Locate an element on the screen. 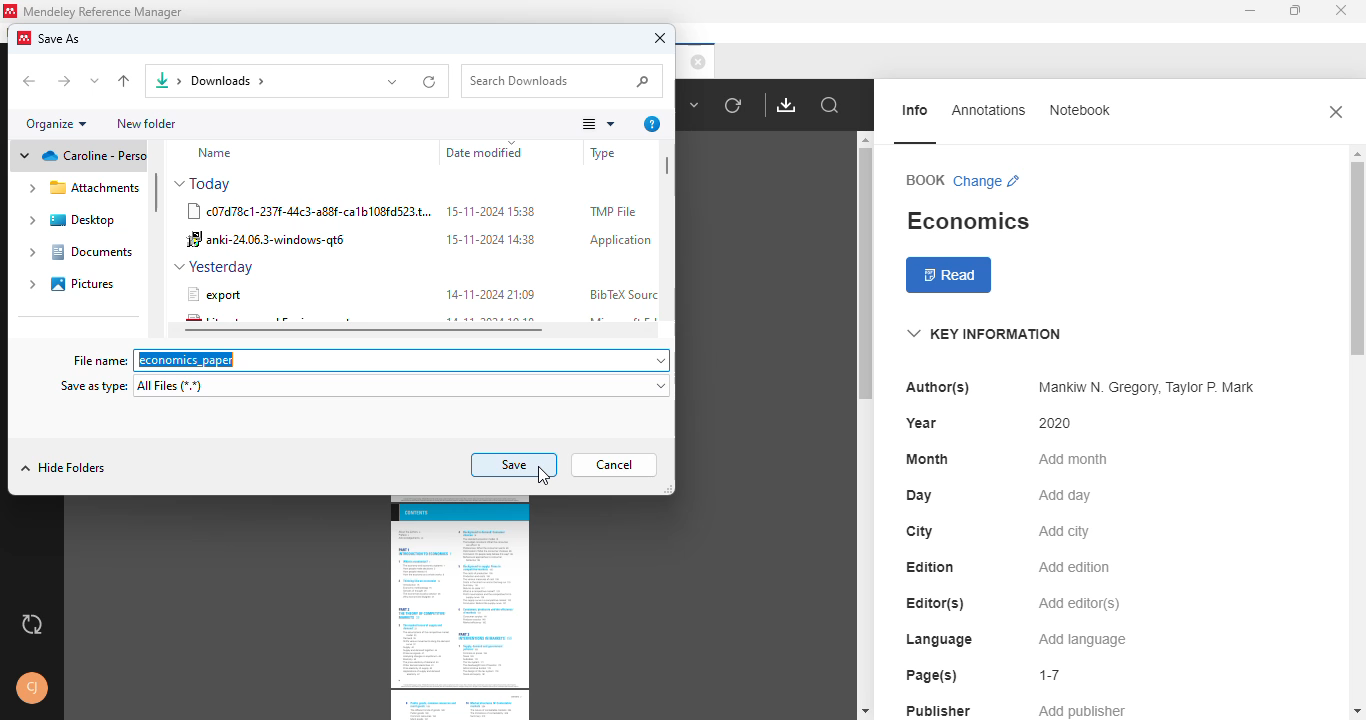  recent locations is located at coordinates (95, 82).